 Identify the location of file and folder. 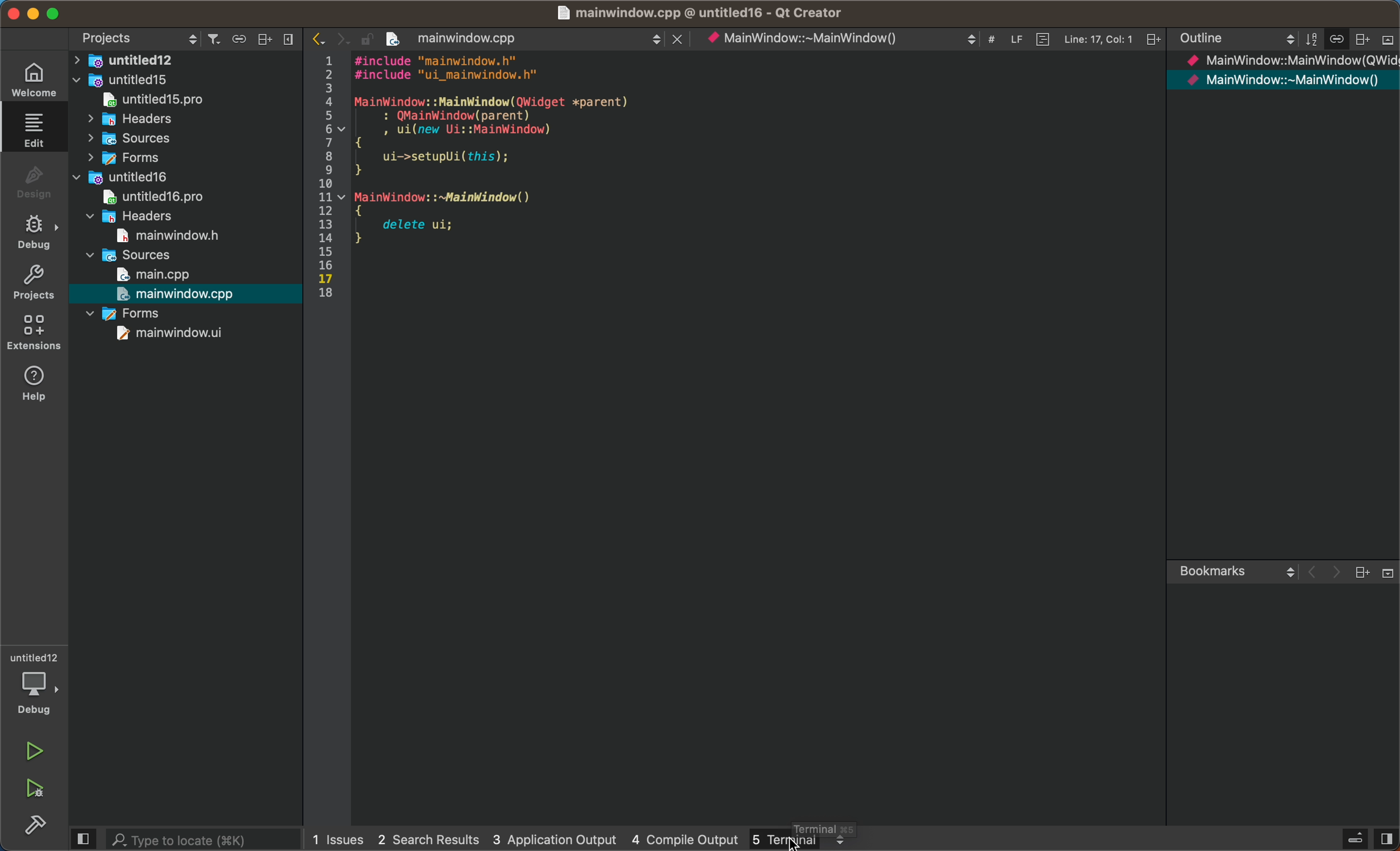
(132, 255).